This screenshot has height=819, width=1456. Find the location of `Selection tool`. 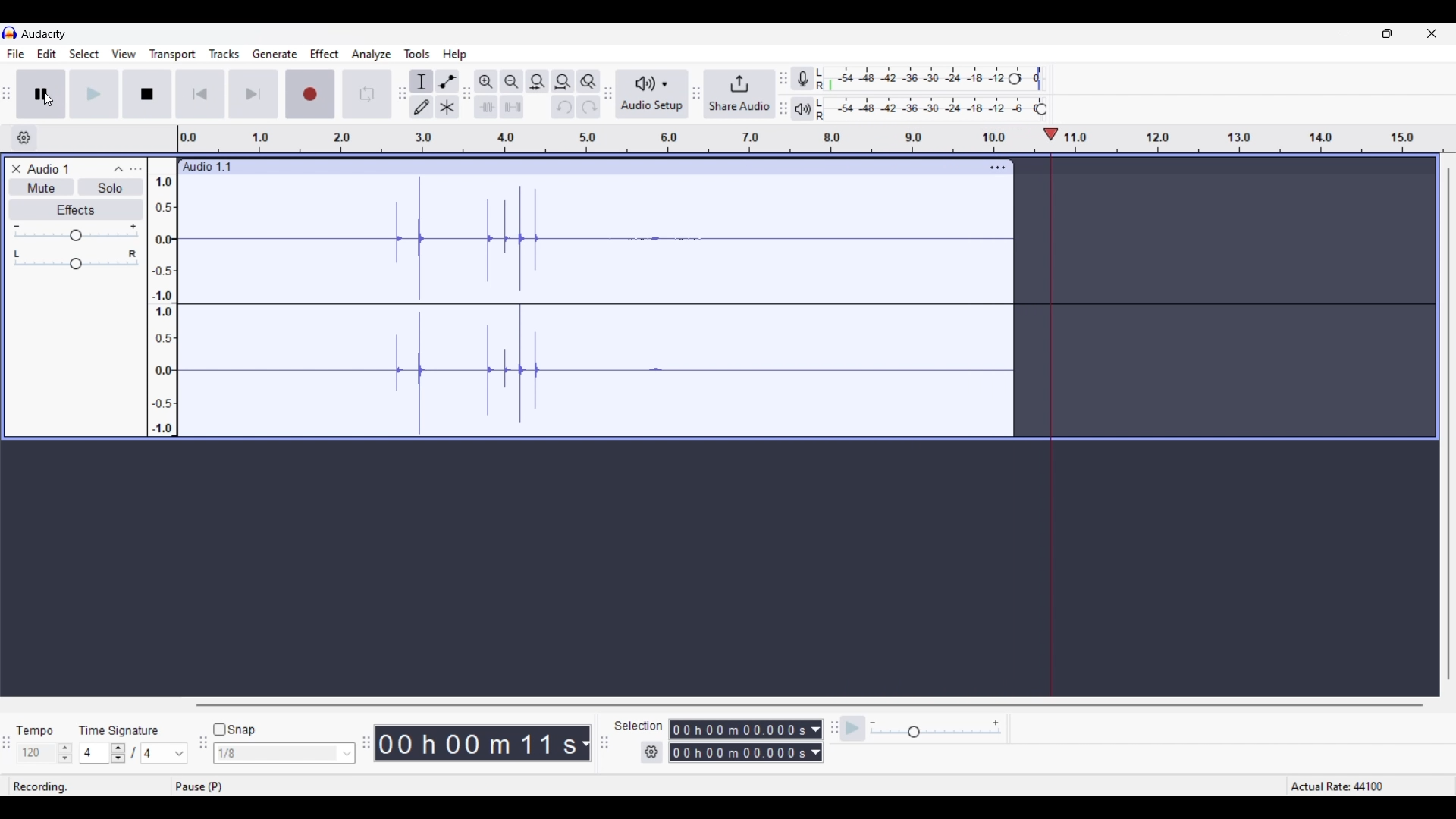

Selection tool is located at coordinates (422, 81).